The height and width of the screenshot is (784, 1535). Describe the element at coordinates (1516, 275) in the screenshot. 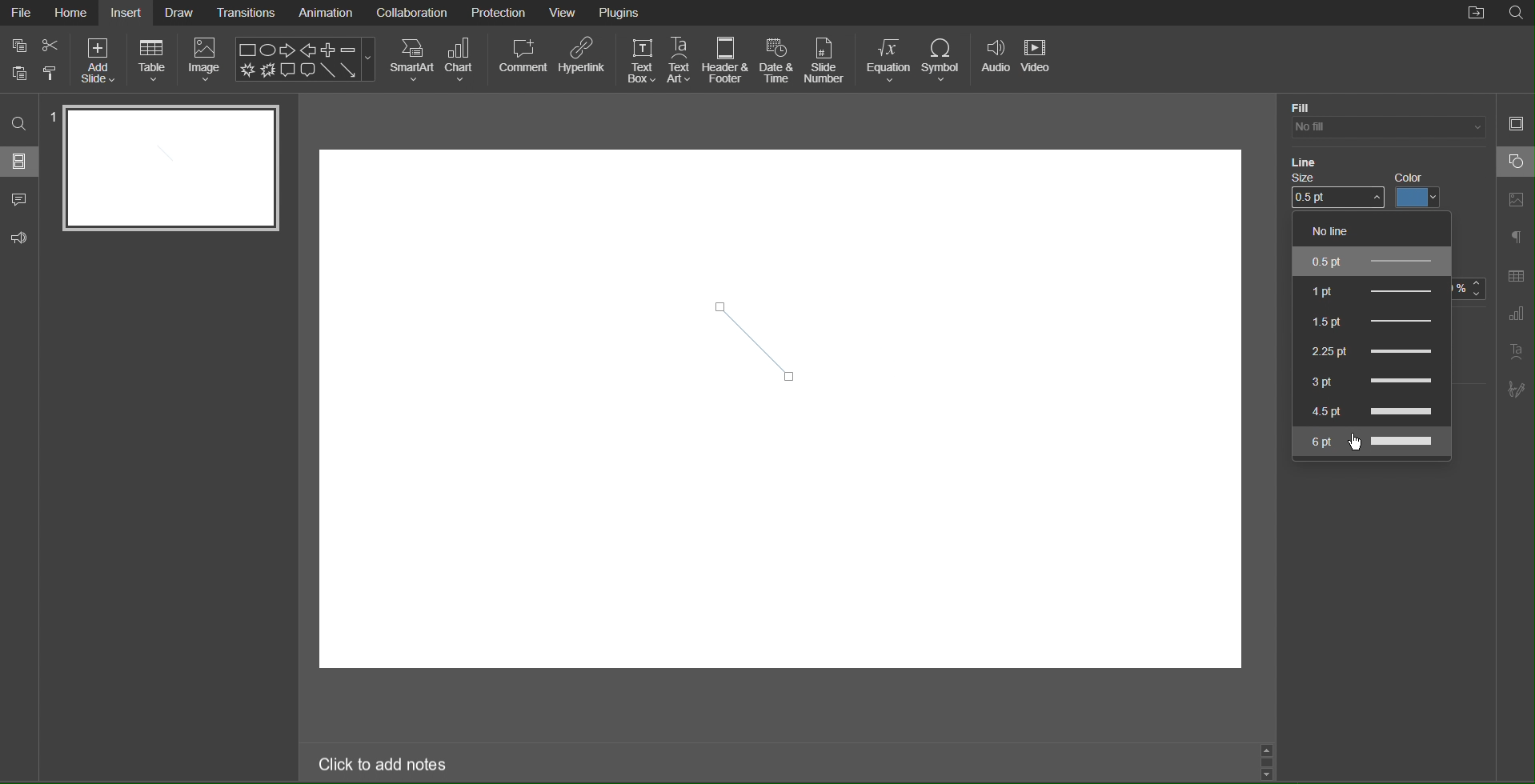

I see `Table Settings` at that location.